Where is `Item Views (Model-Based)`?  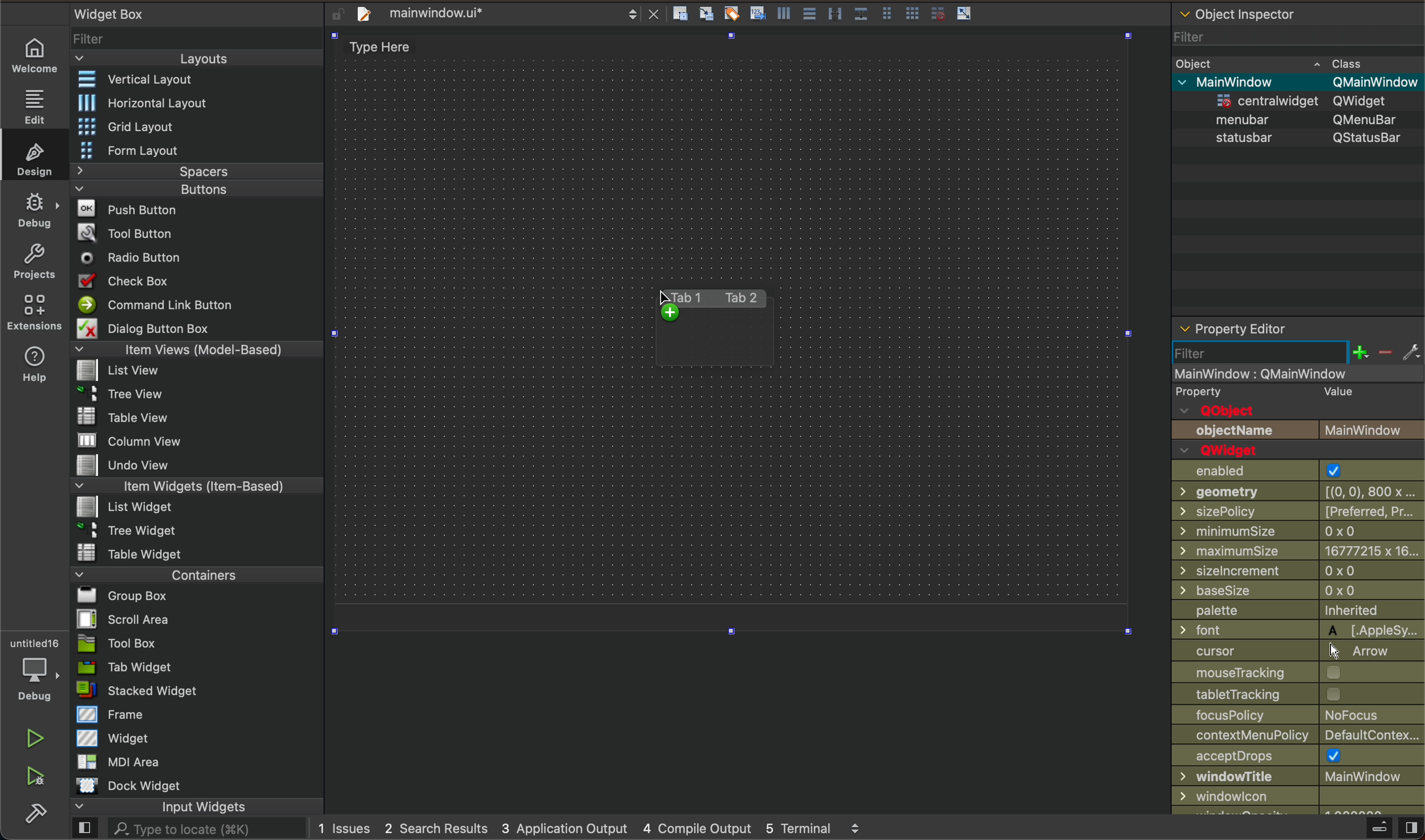 Item Views (Model-Based) is located at coordinates (198, 350).